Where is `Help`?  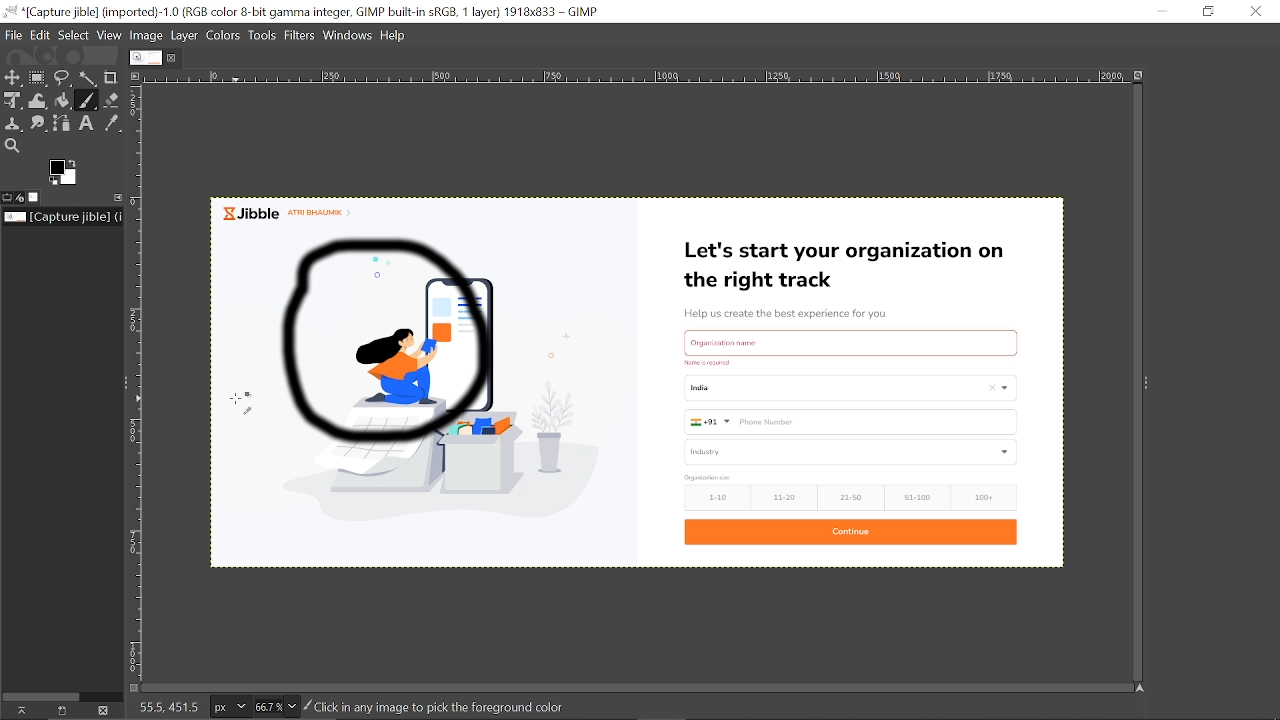 Help is located at coordinates (395, 36).